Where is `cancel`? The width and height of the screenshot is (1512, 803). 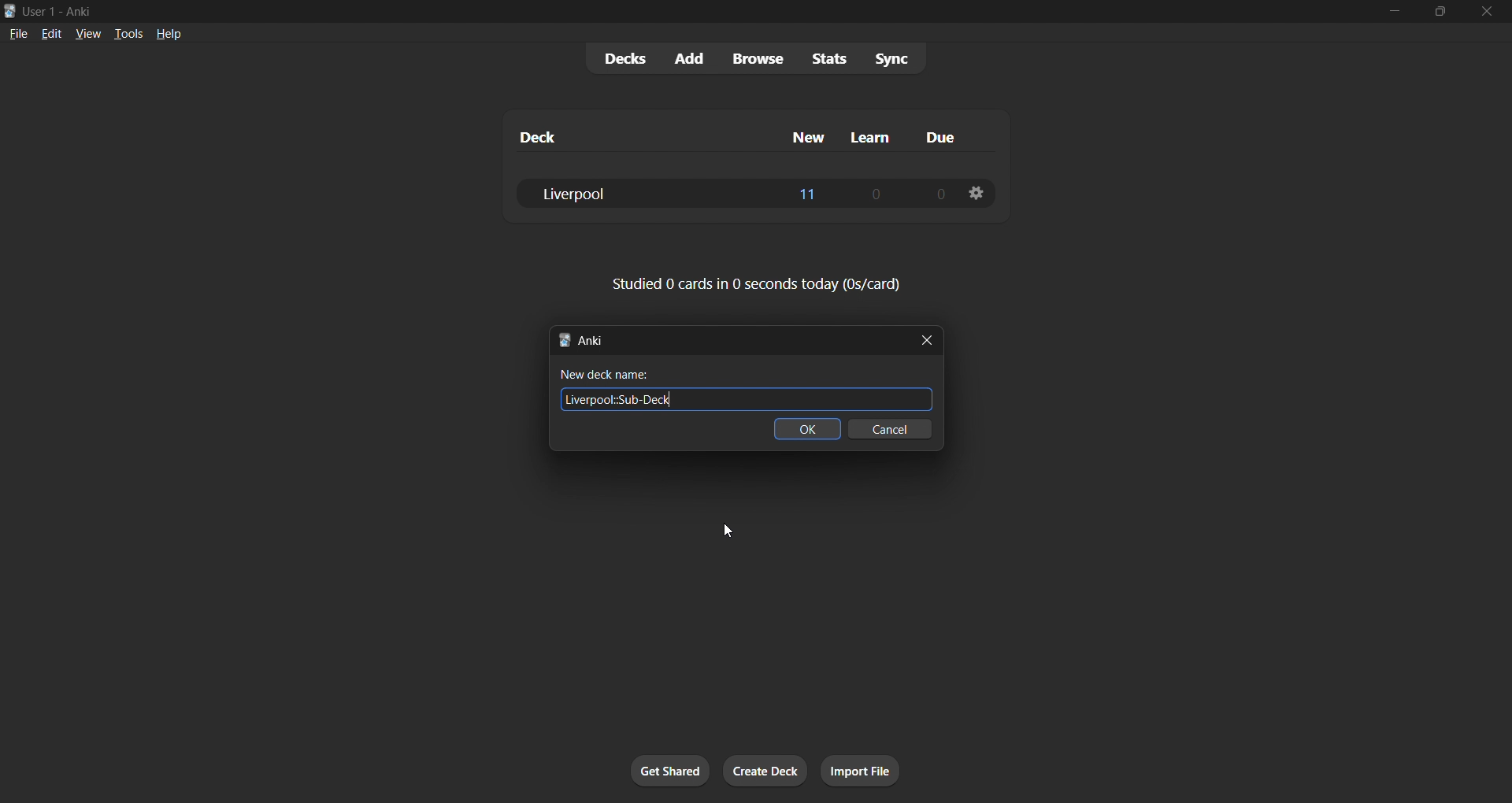
cancel is located at coordinates (890, 430).